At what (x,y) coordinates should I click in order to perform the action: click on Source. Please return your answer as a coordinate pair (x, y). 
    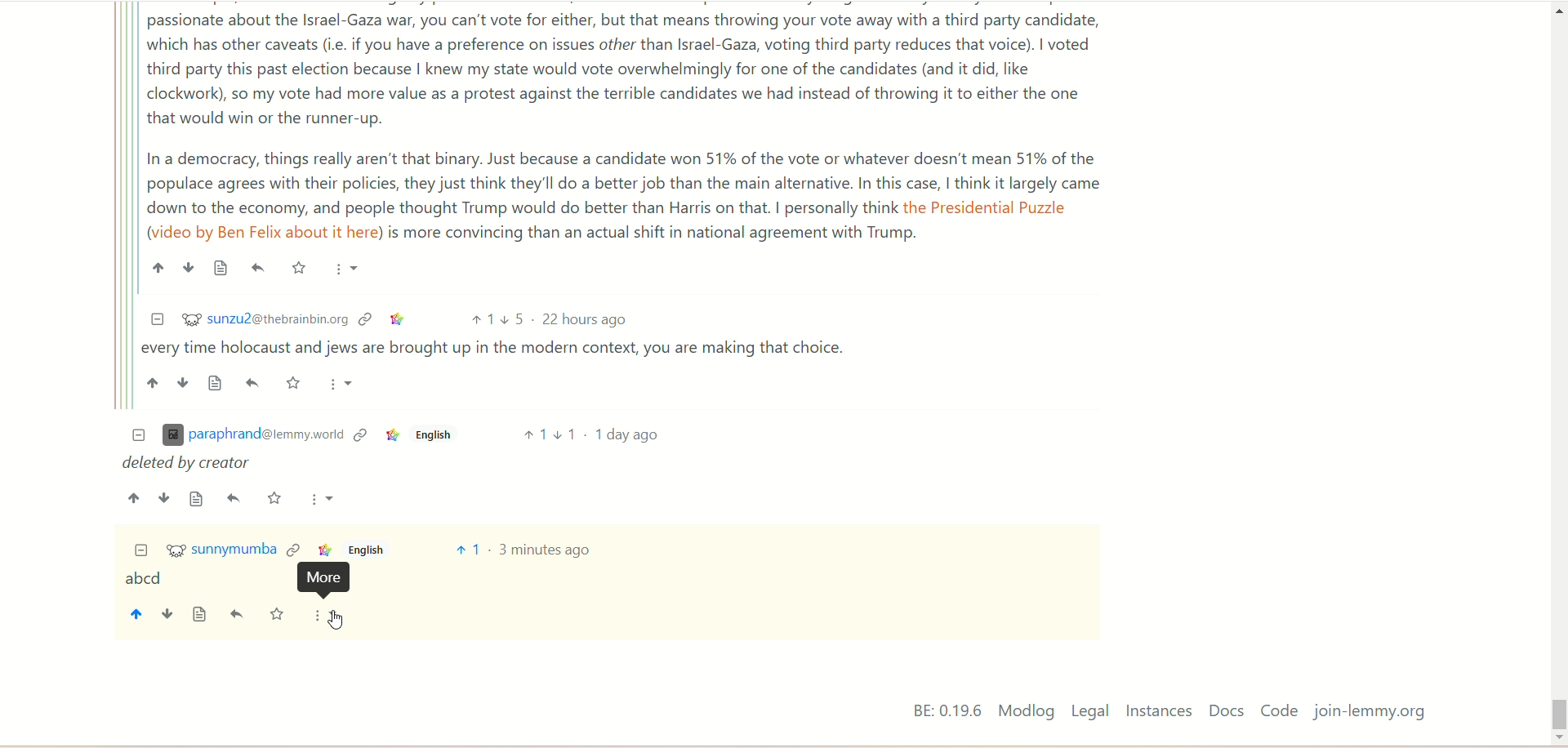
    Looking at the image, I should click on (221, 268).